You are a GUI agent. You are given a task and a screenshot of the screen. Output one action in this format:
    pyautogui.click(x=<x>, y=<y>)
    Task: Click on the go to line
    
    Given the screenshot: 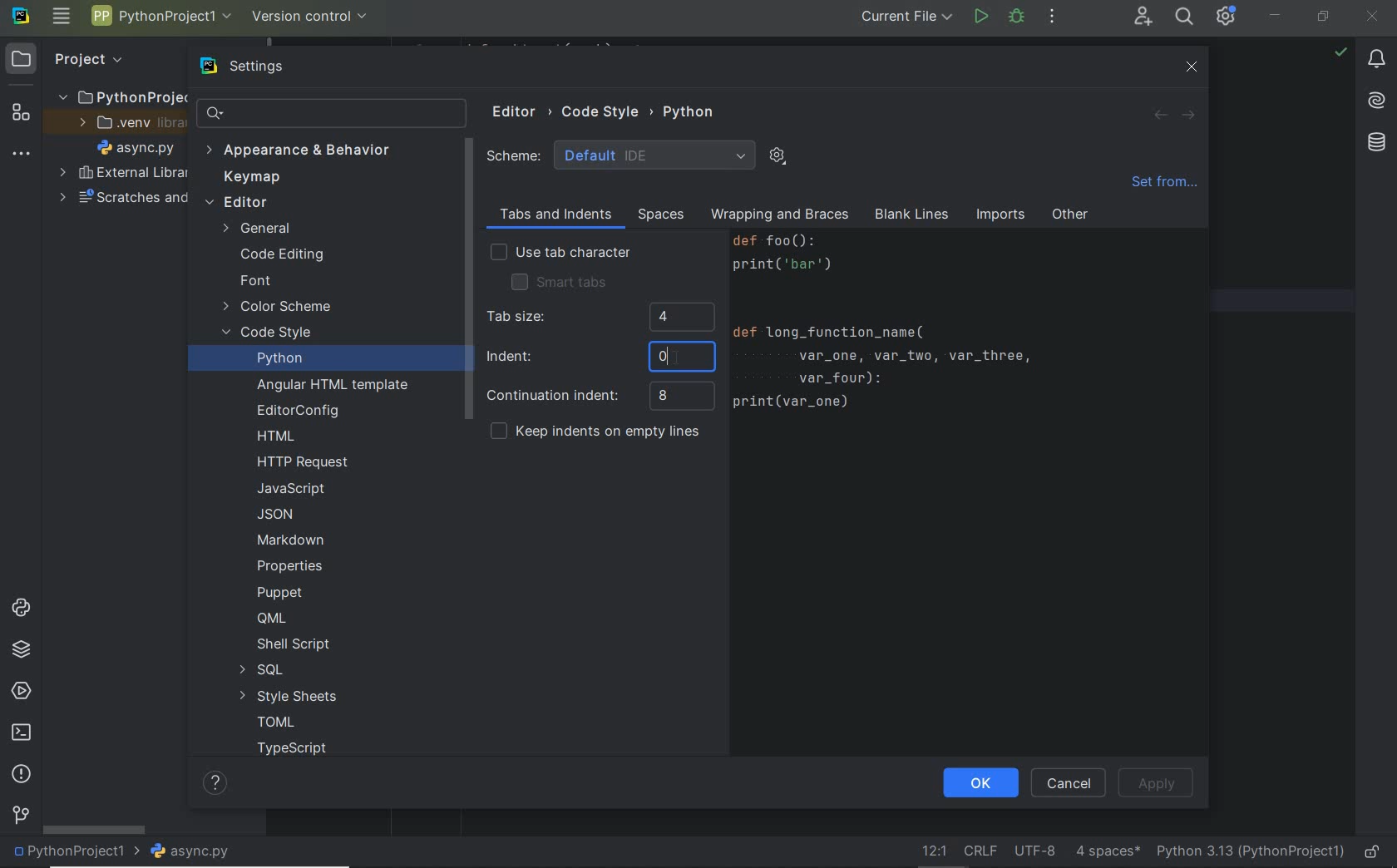 What is the action you would take?
    pyautogui.click(x=935, y=850)
    